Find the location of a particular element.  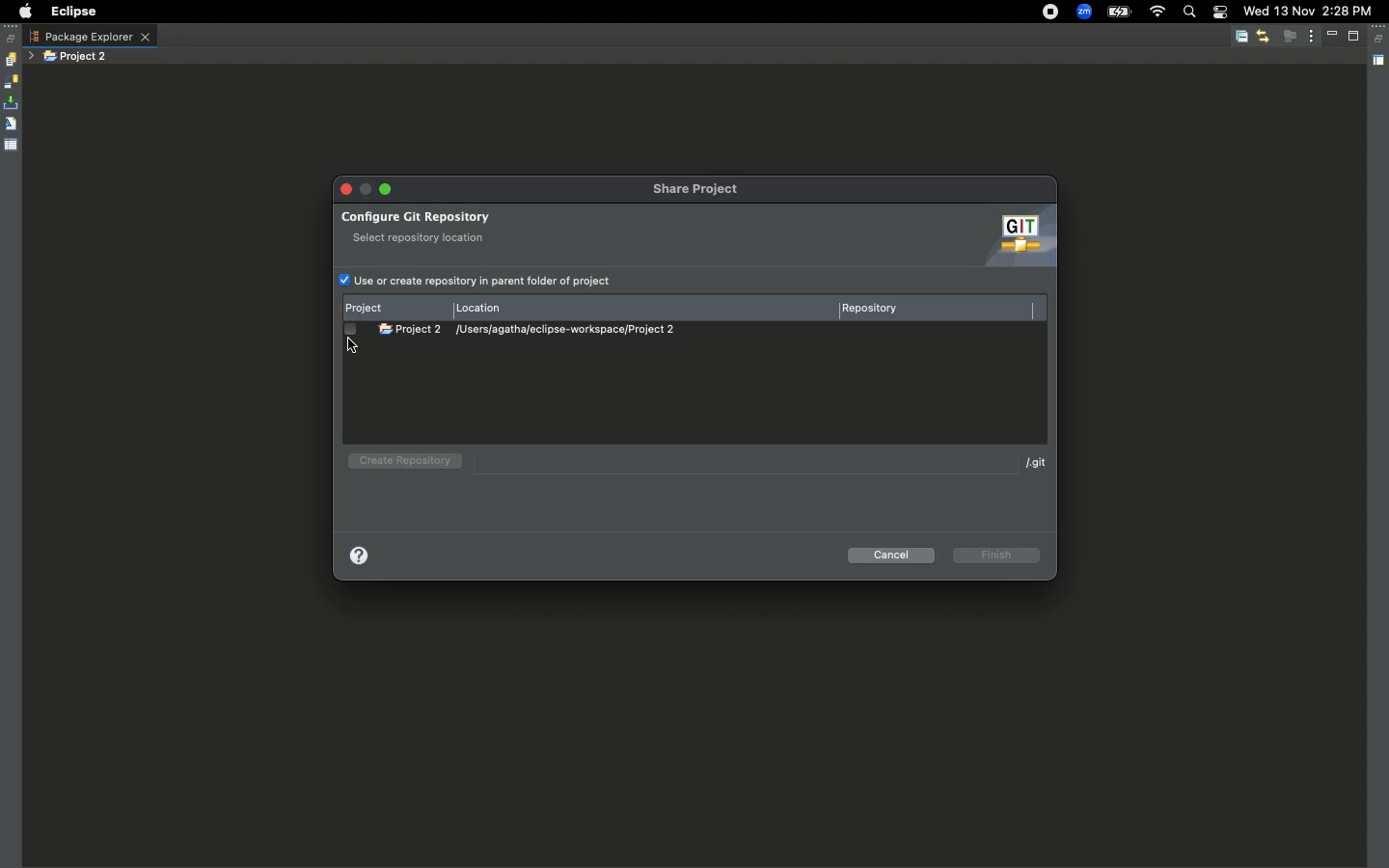

Maximize is located at coordinates (1355, 36).